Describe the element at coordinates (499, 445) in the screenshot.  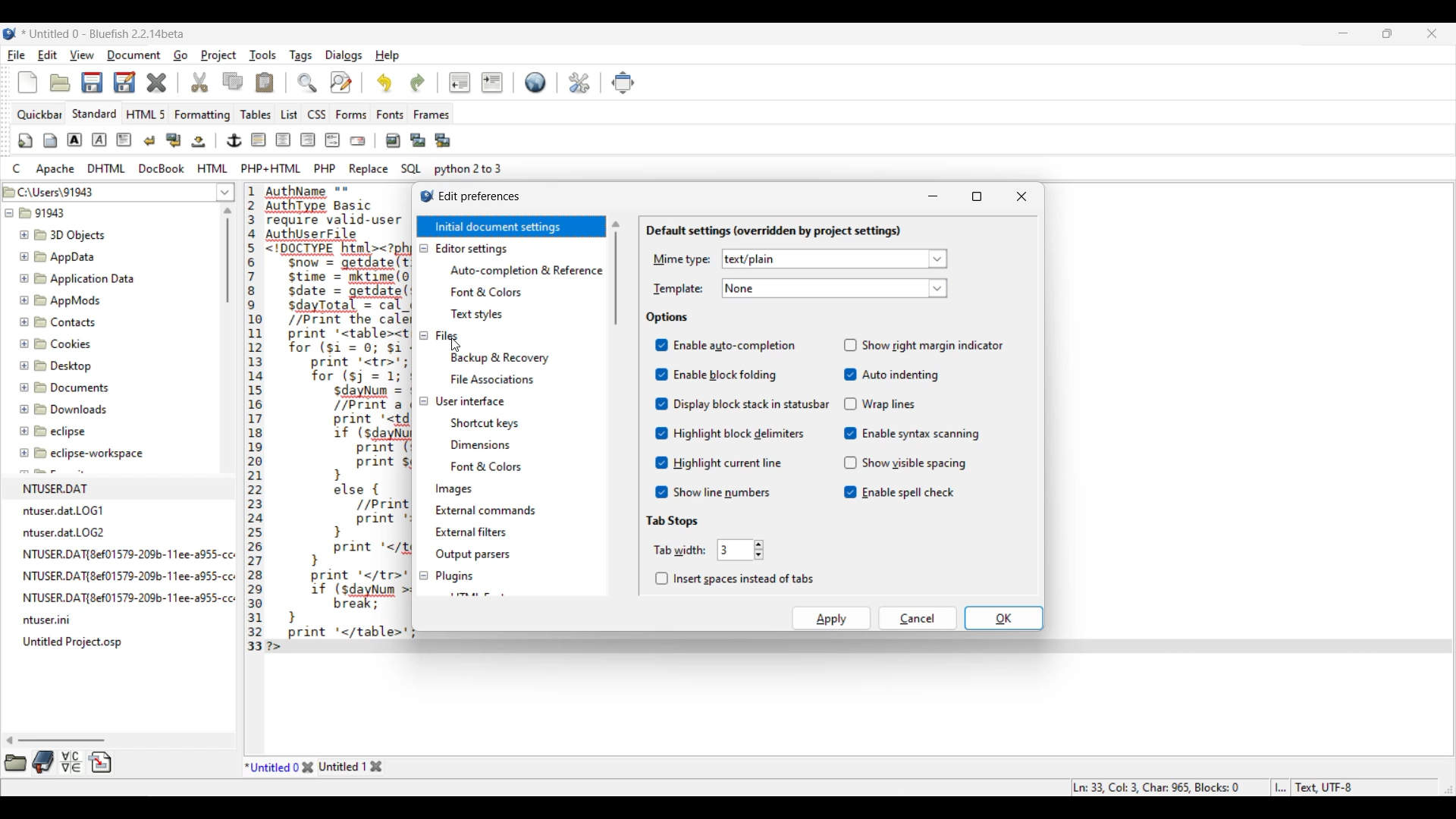
I see `User interface setting options` at that location.